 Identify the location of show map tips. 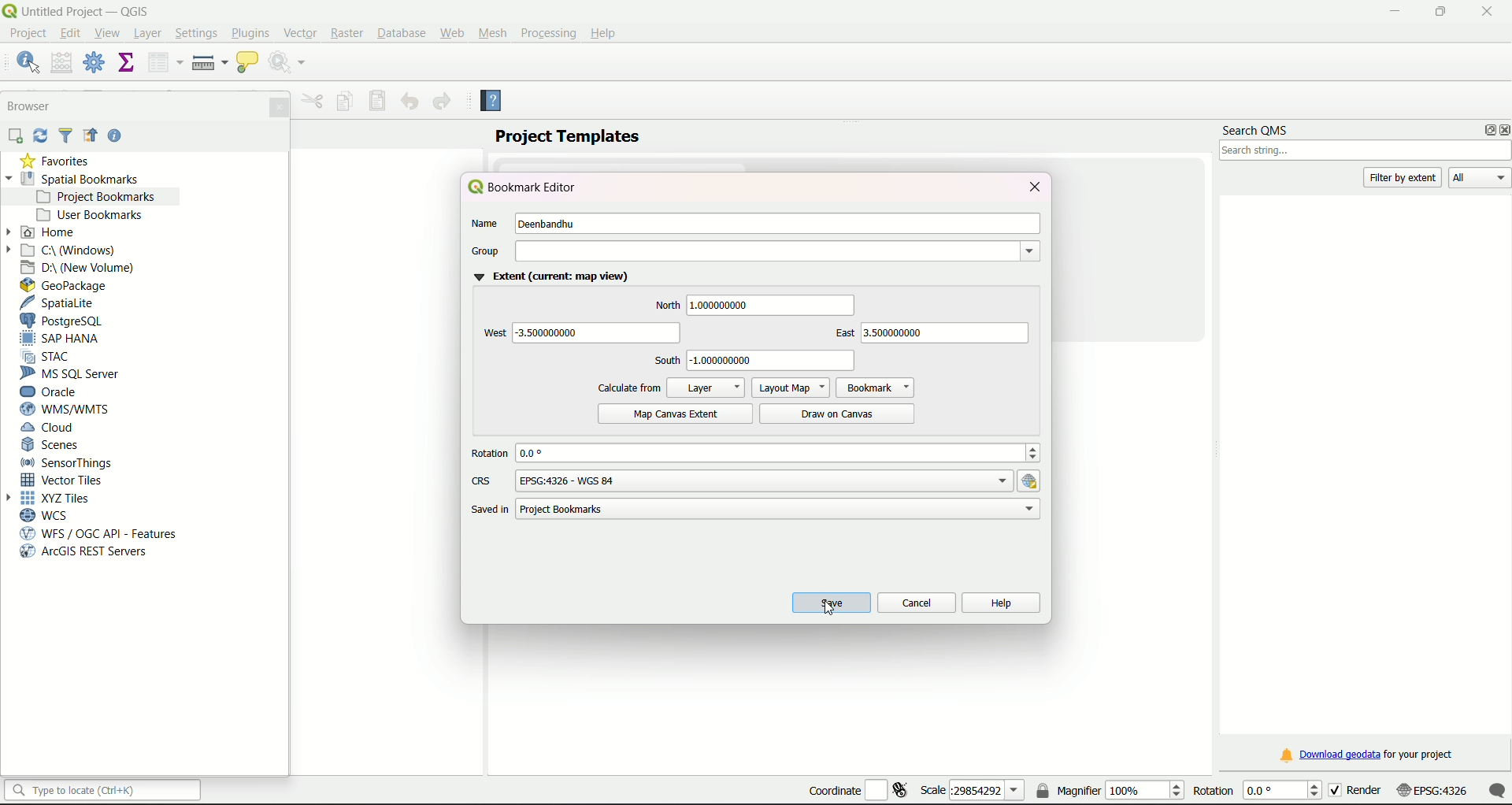
(247, 63).